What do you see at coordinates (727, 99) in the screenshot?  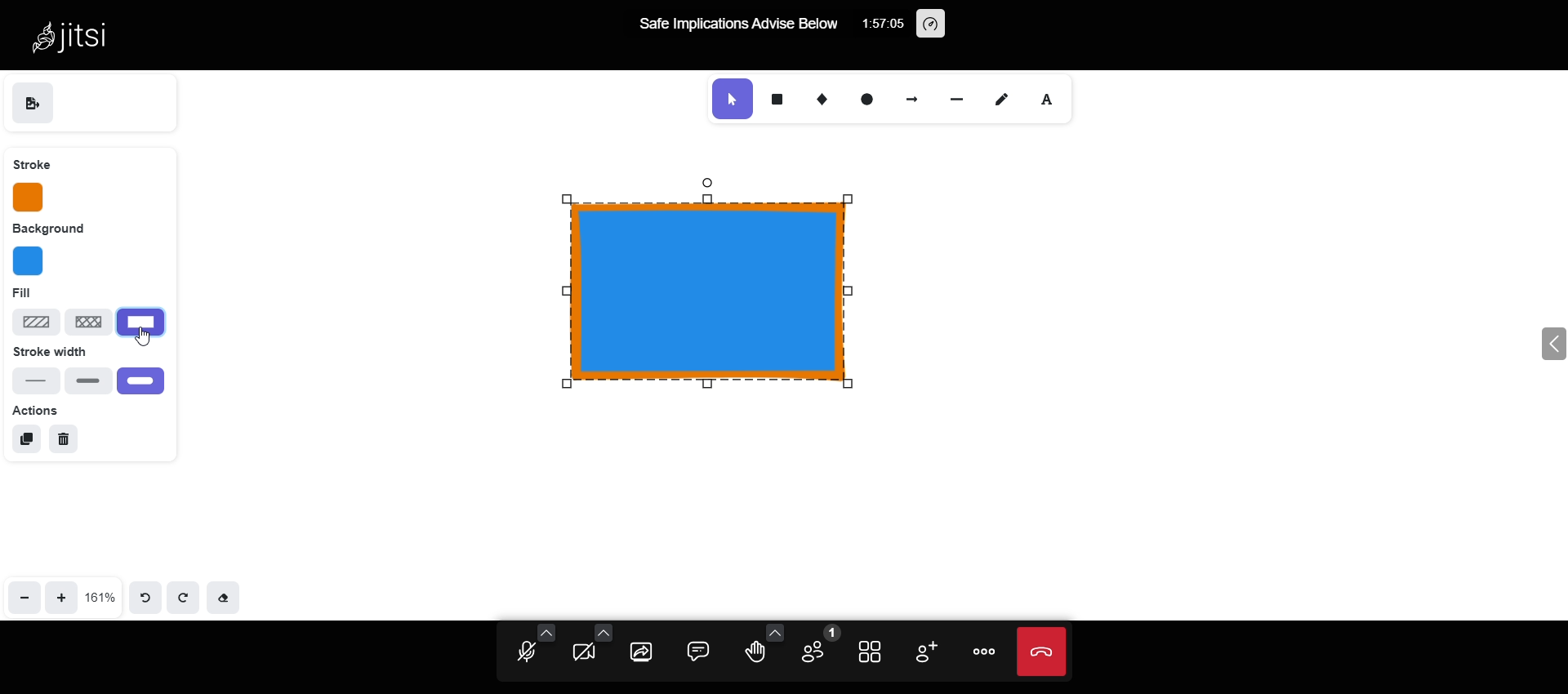 I see `selection` at bounding box center [727, 99].